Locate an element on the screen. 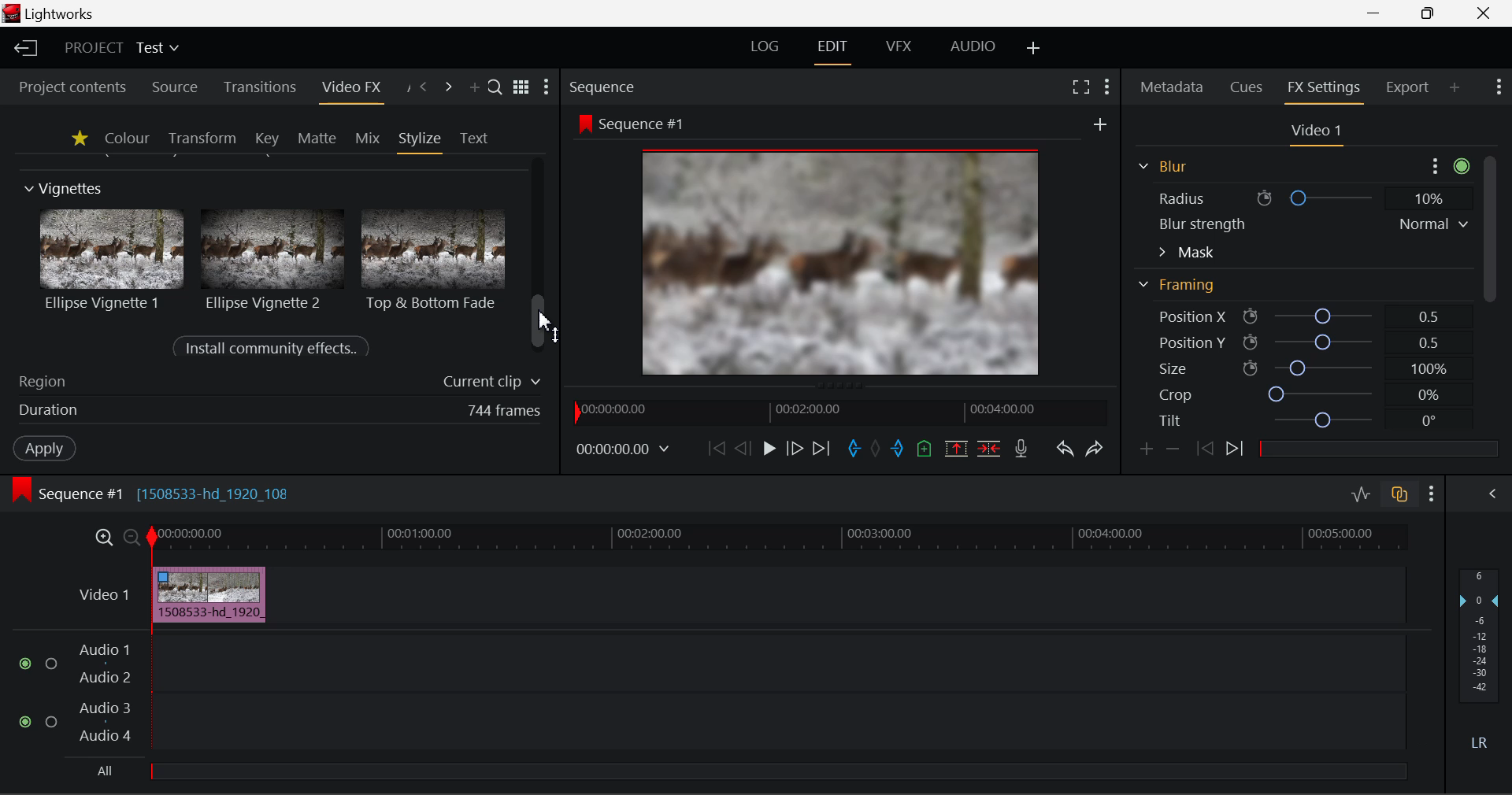  Next keyframe is located at coordinates (1235, 452).